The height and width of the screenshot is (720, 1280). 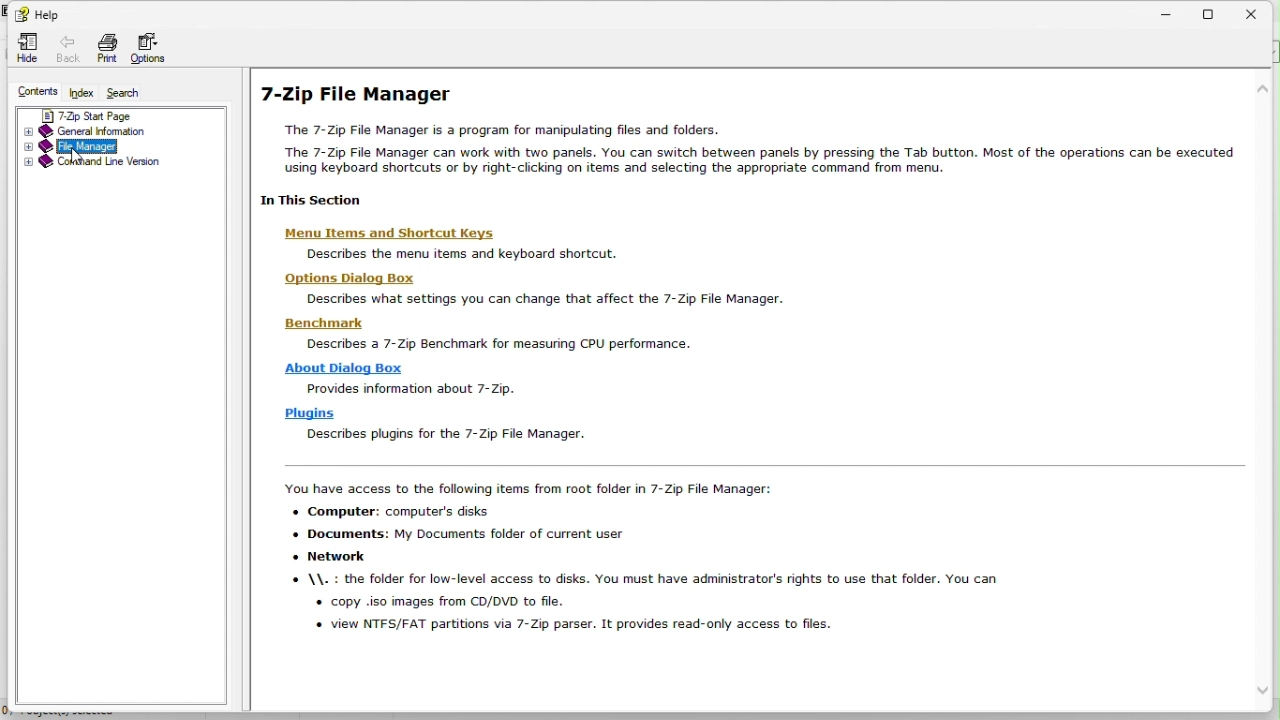 I want to click on Search, so click(x=132, y=93).